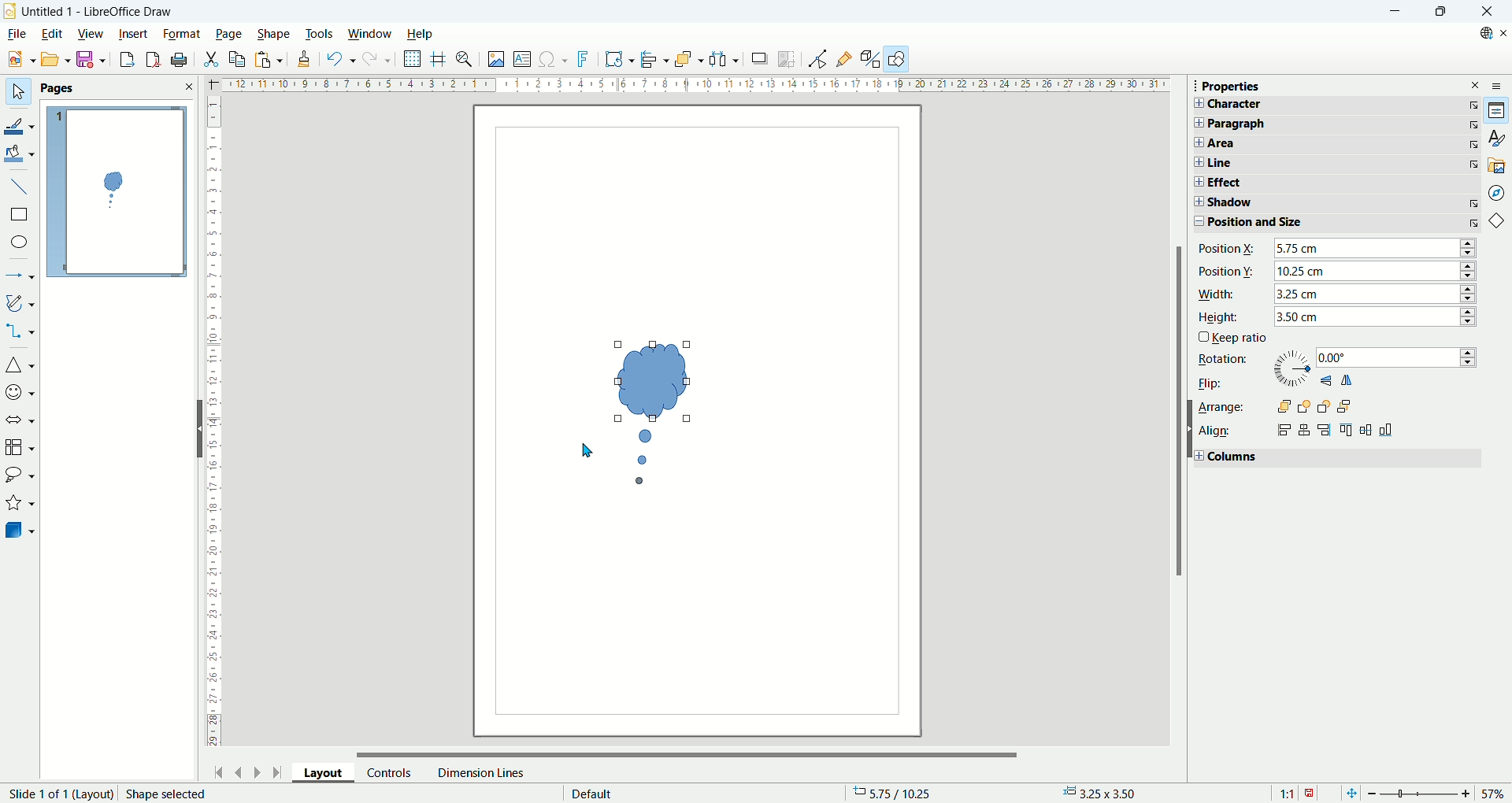  What do you see at coordinates (220, 771) in the screenshot?
I see `go to first page` at bounding box center [220, 771].